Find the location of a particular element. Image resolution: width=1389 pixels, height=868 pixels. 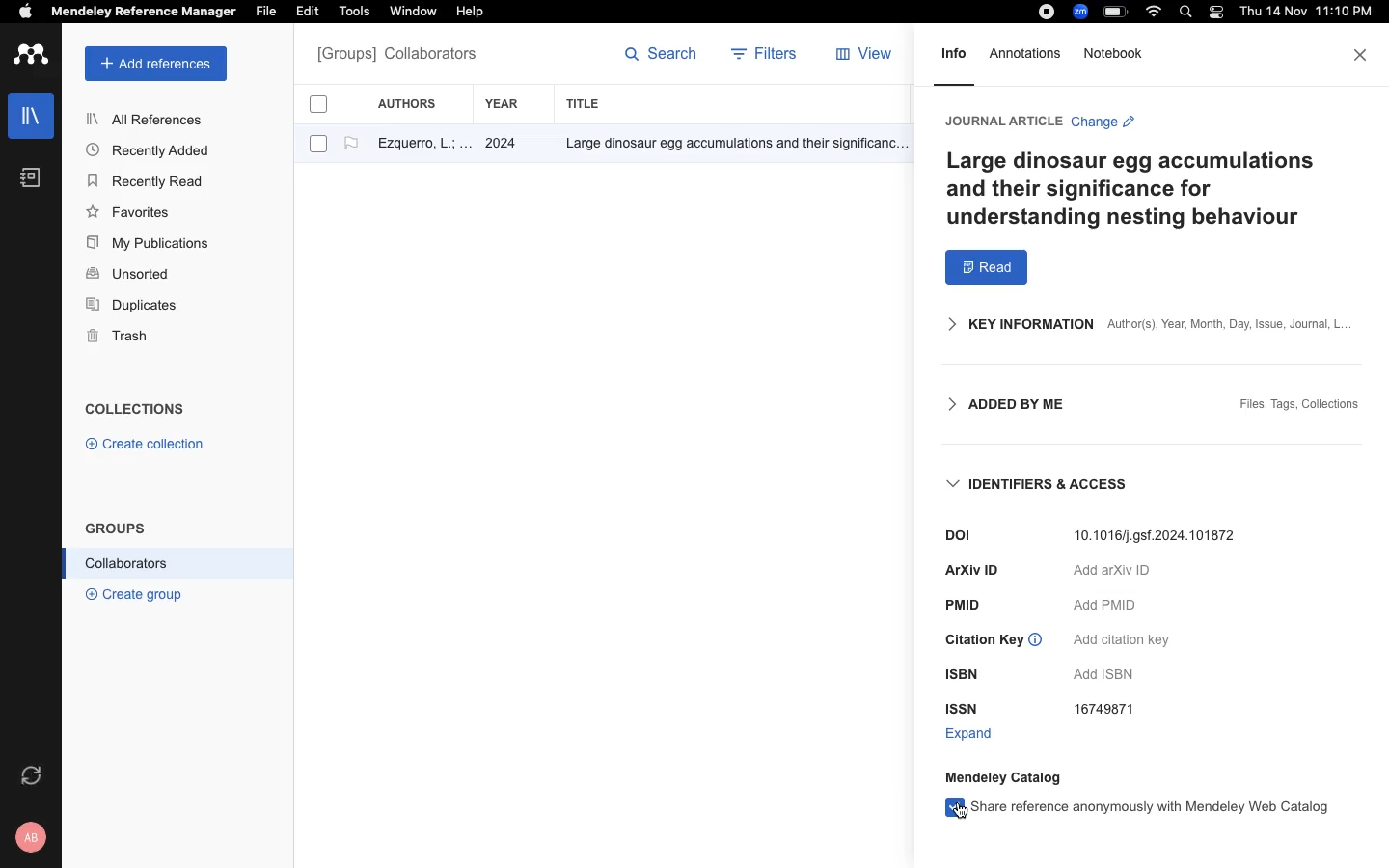

checkboxes is located at coordinates (311, 127).